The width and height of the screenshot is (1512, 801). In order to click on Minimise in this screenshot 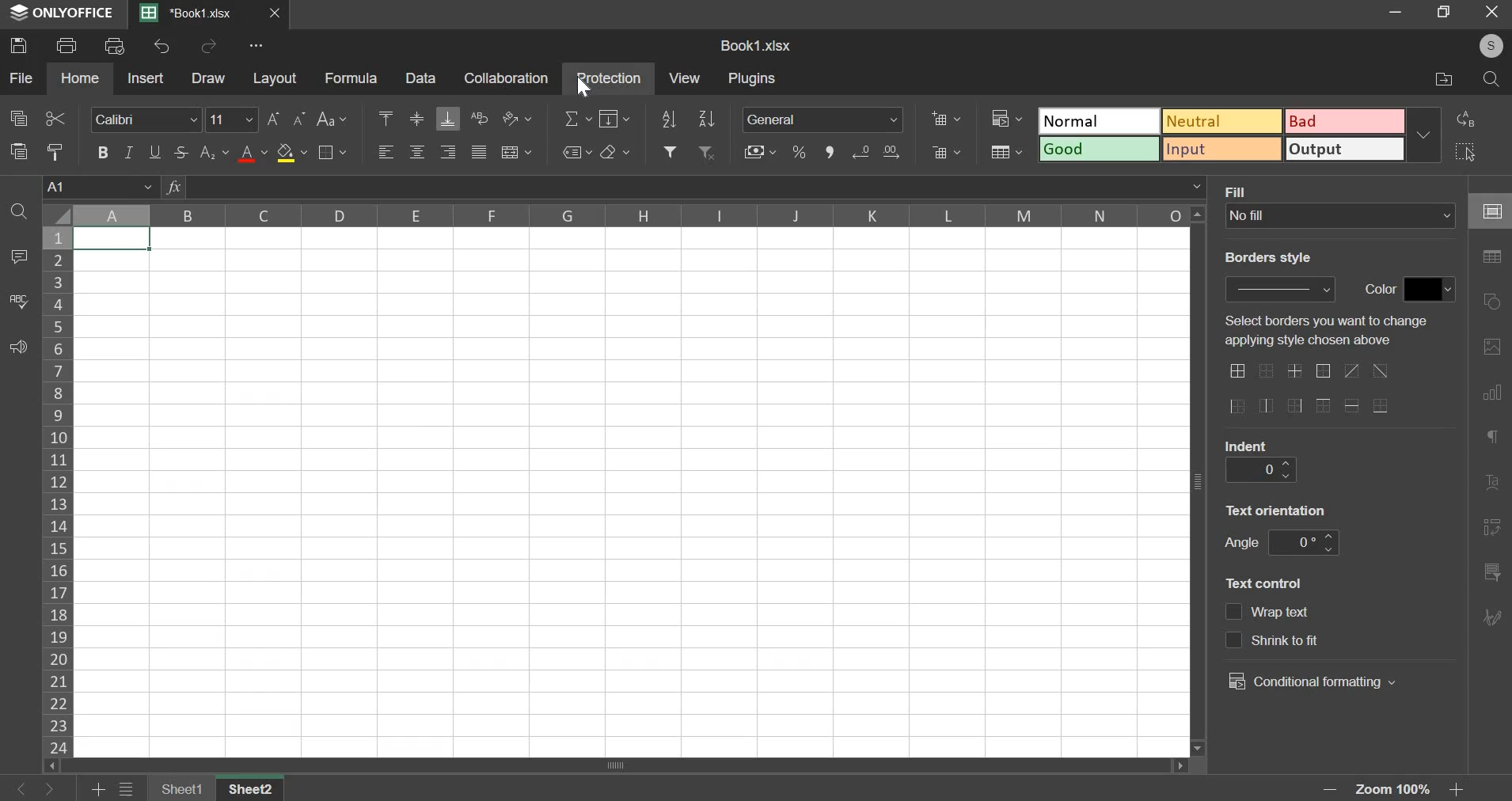, I will do `click(1445, 11)`.